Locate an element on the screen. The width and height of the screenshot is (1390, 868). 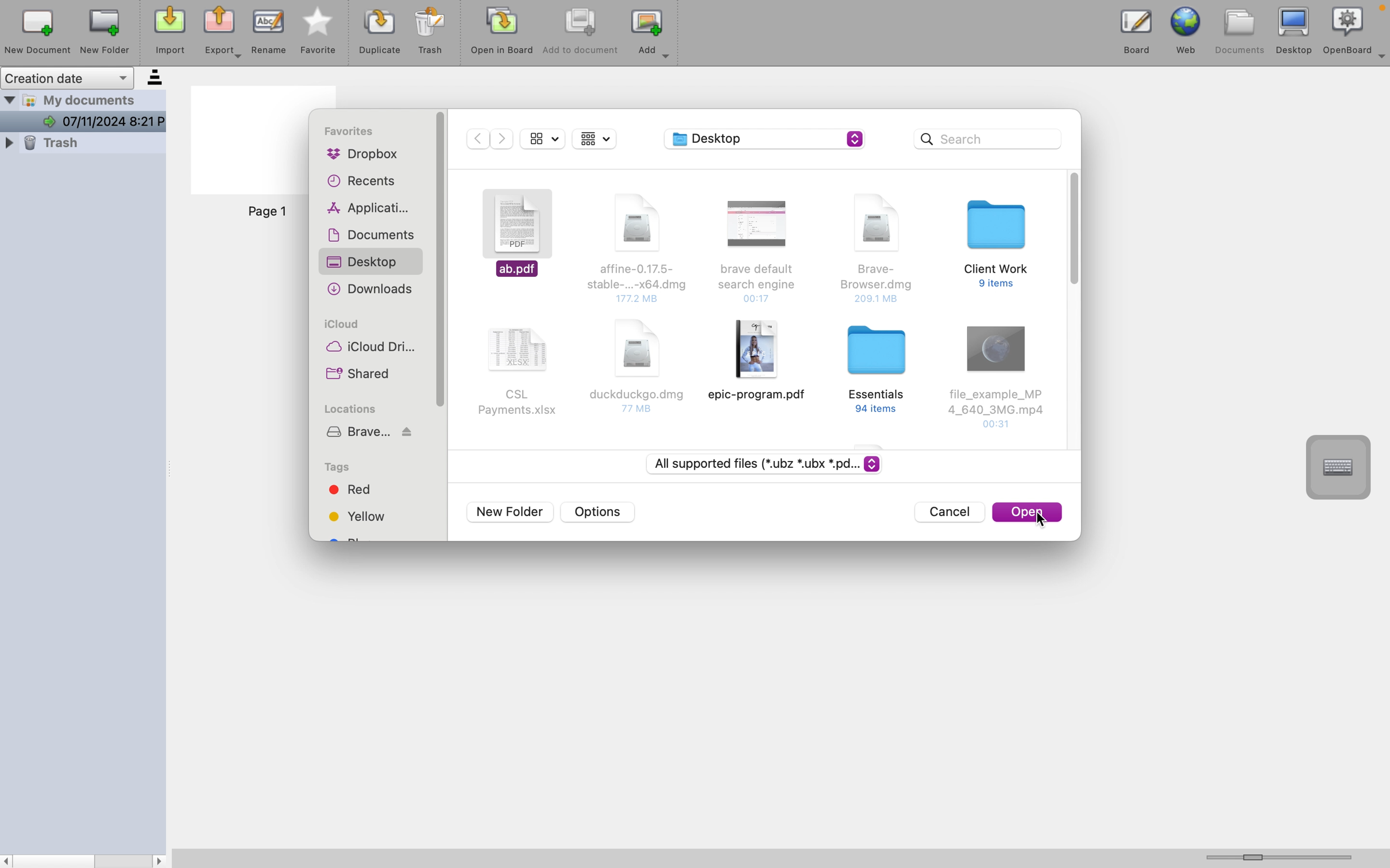
cursor is located at coordinates (1040, 521).